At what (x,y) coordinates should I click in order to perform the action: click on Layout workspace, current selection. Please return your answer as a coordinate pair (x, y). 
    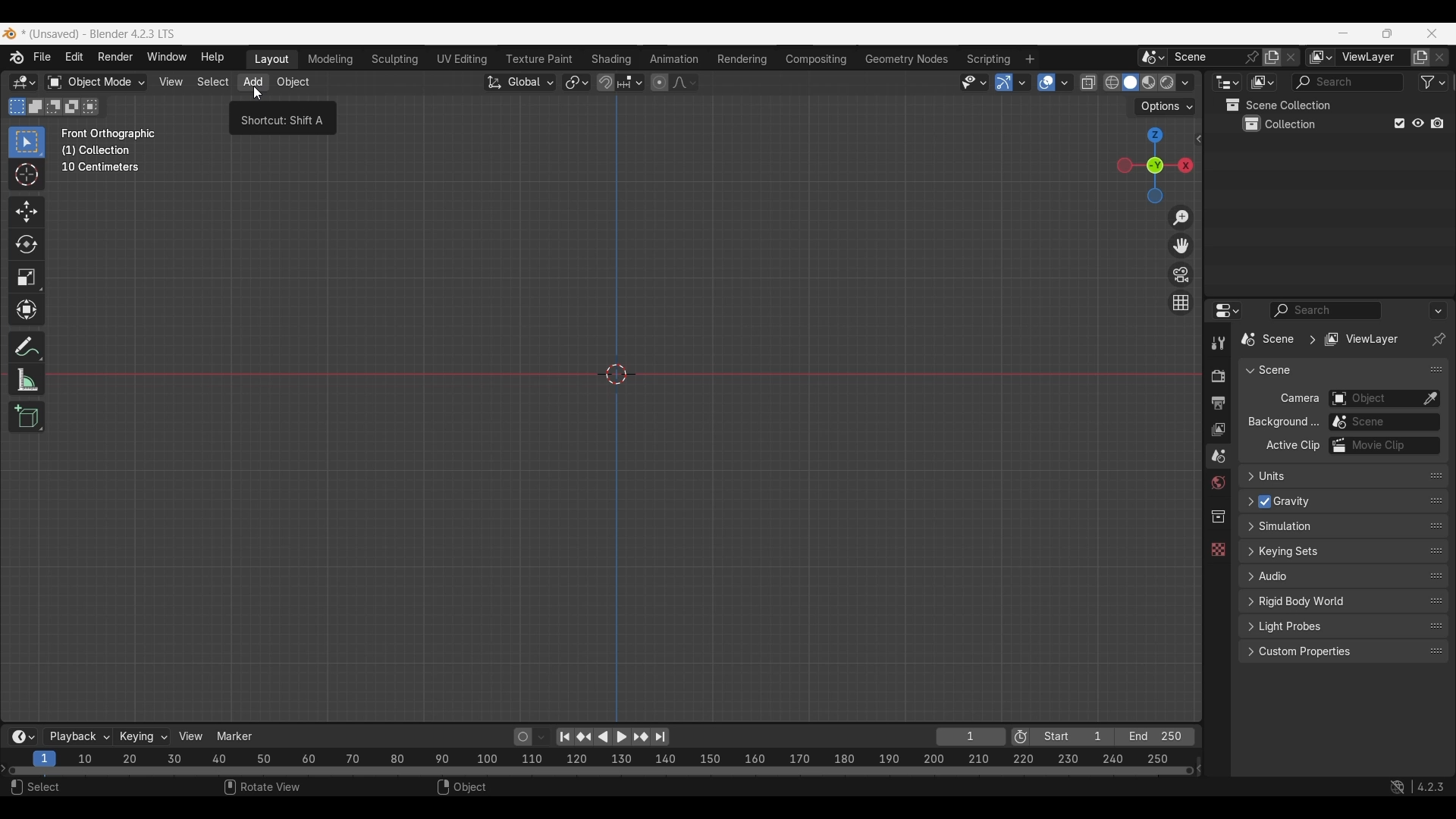
    Looking at the image, I should click on (271, 60).